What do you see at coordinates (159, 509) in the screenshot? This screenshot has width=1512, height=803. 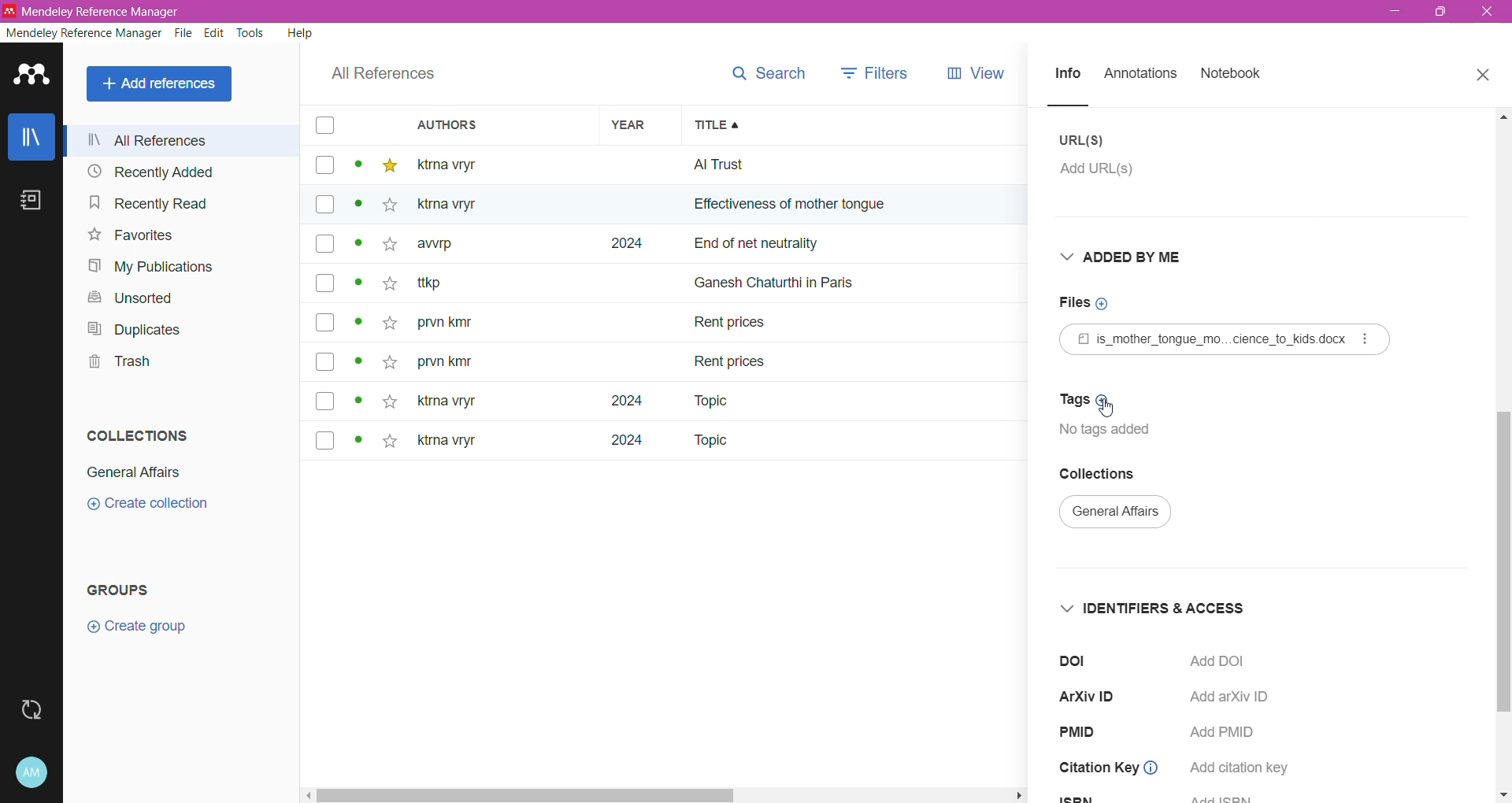 I see `create collection` at bounding box center [159, 509].